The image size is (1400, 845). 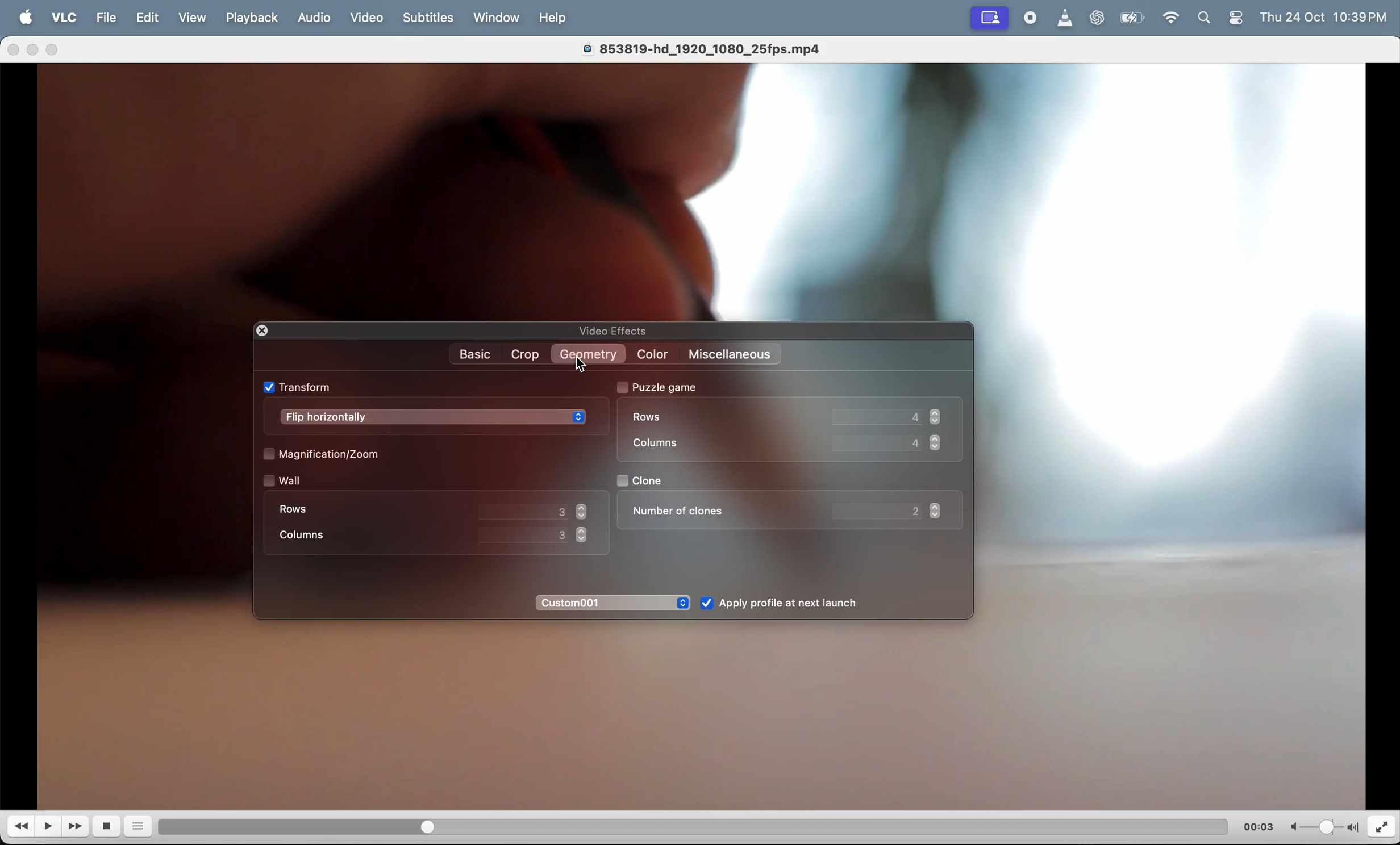 What do you see at coordinates (622, 480) in the screenshot?
I see `check box` at bounding box center [622, 480].